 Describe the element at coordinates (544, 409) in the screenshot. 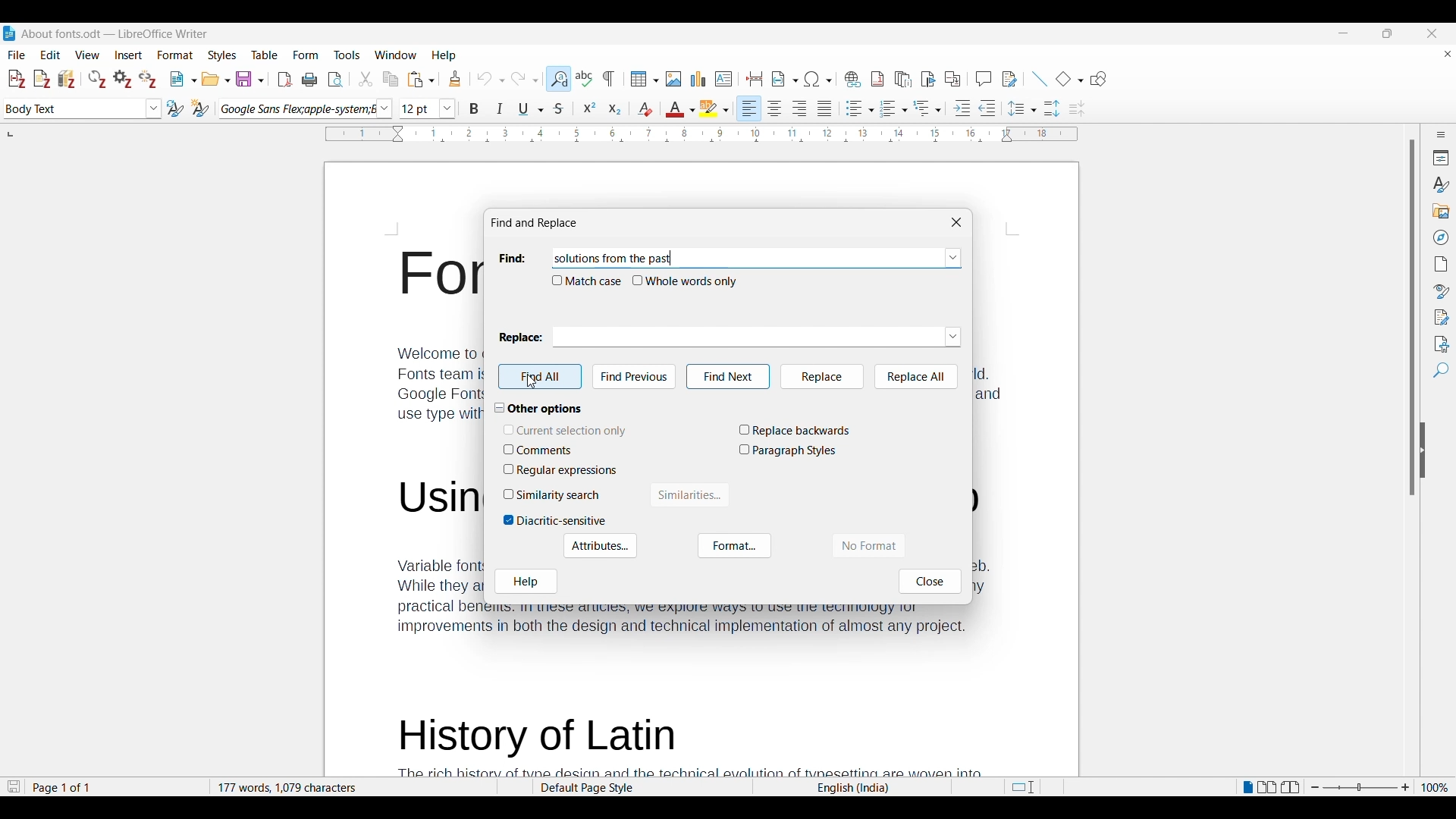

I see `Collapse Other options section` at that location.